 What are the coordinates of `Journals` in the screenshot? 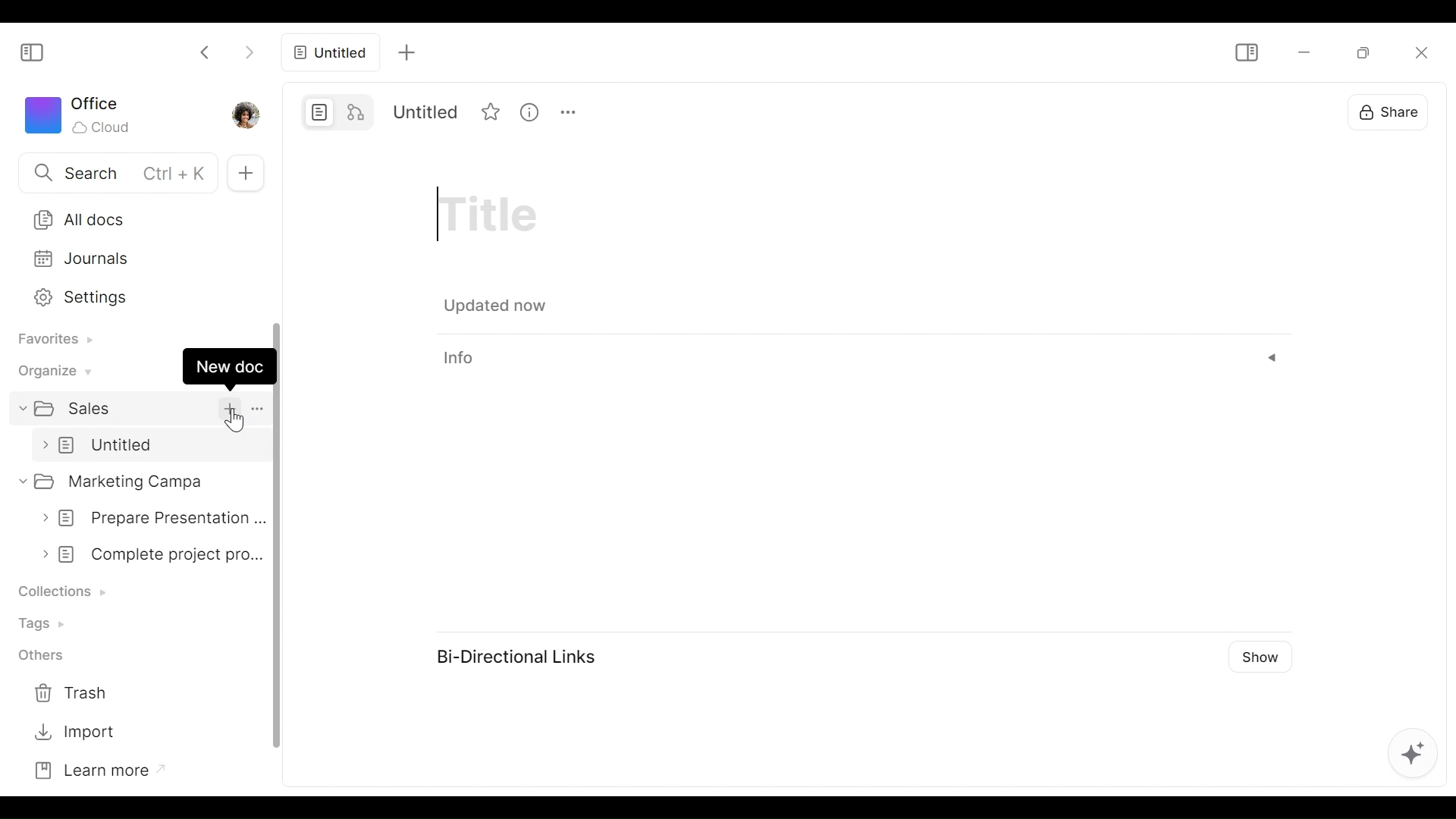 It's located at (133, 258).